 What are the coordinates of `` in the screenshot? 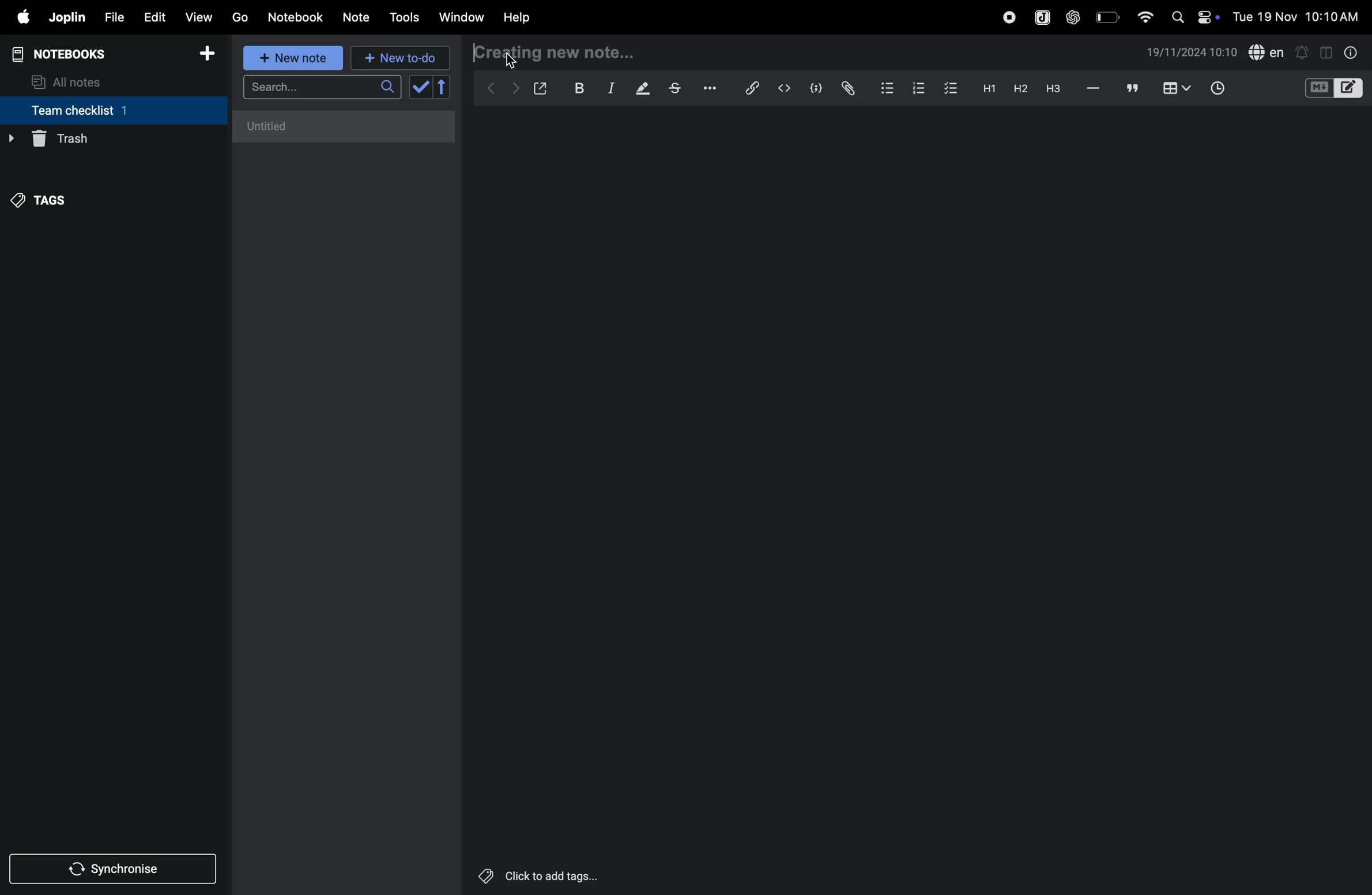 It's located at (1301, 51).